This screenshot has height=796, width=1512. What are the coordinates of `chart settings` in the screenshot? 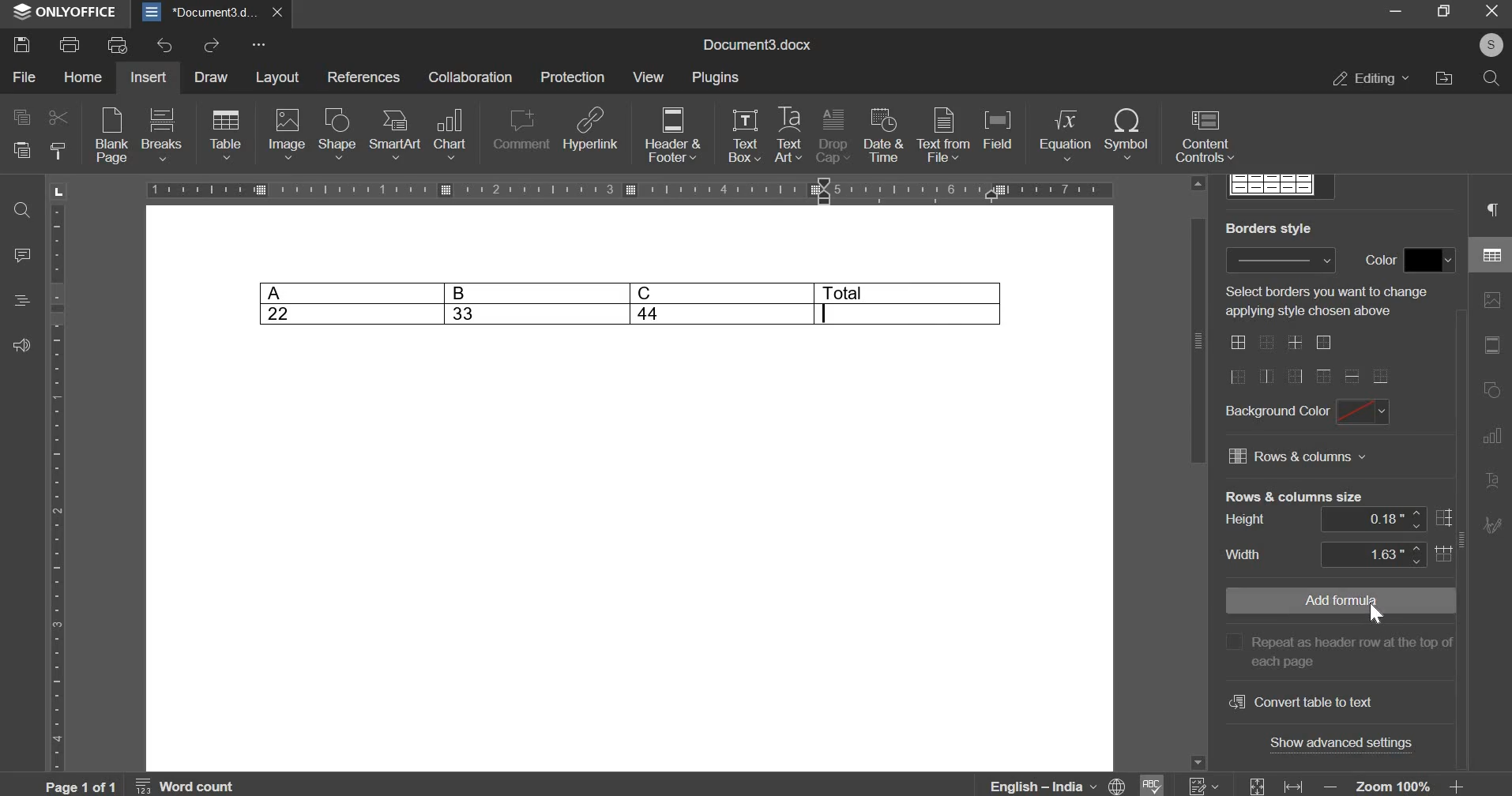 It's located at (1491, 436).